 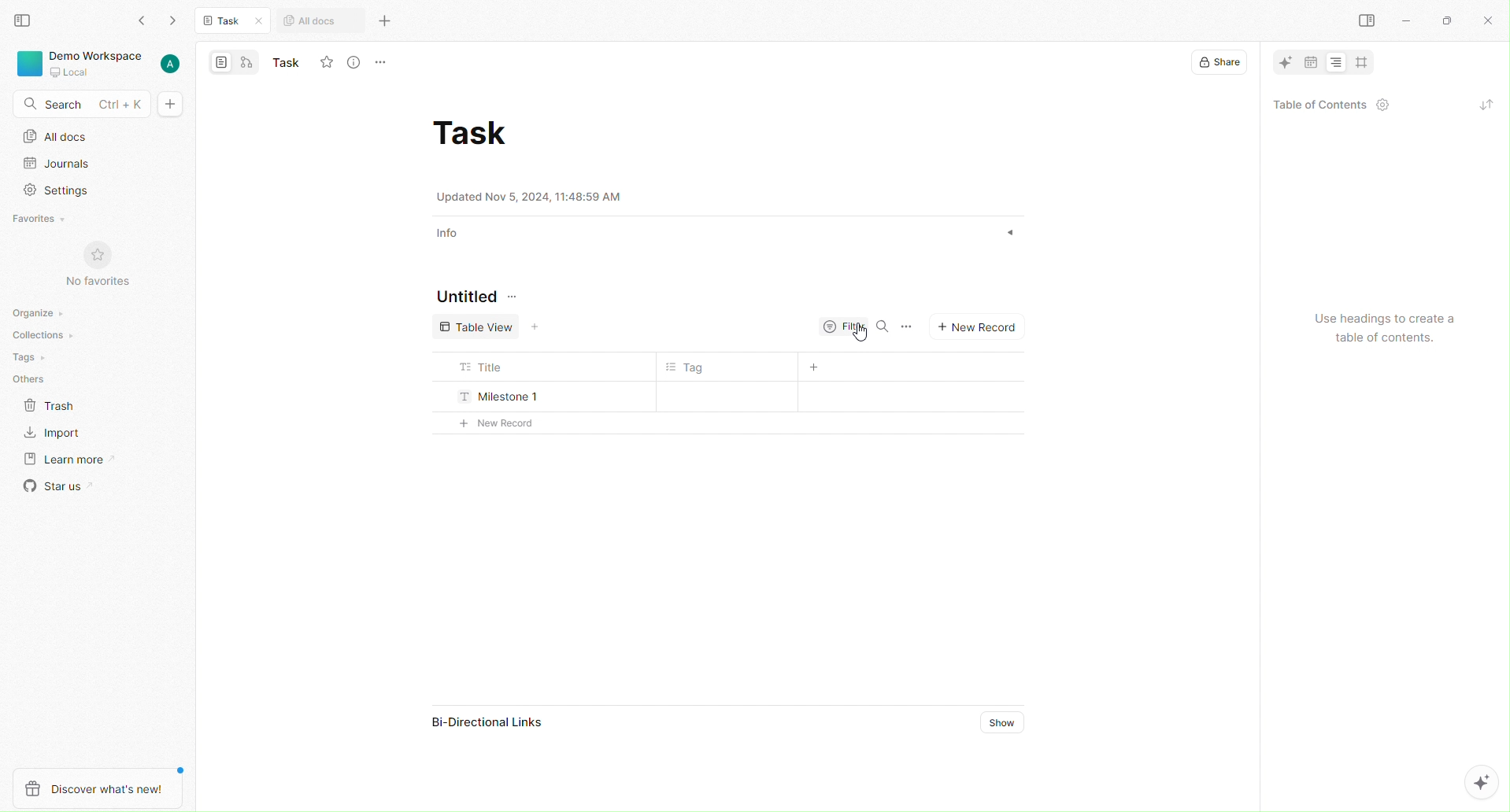 I want to click on Back, so click(x=143, y=20).